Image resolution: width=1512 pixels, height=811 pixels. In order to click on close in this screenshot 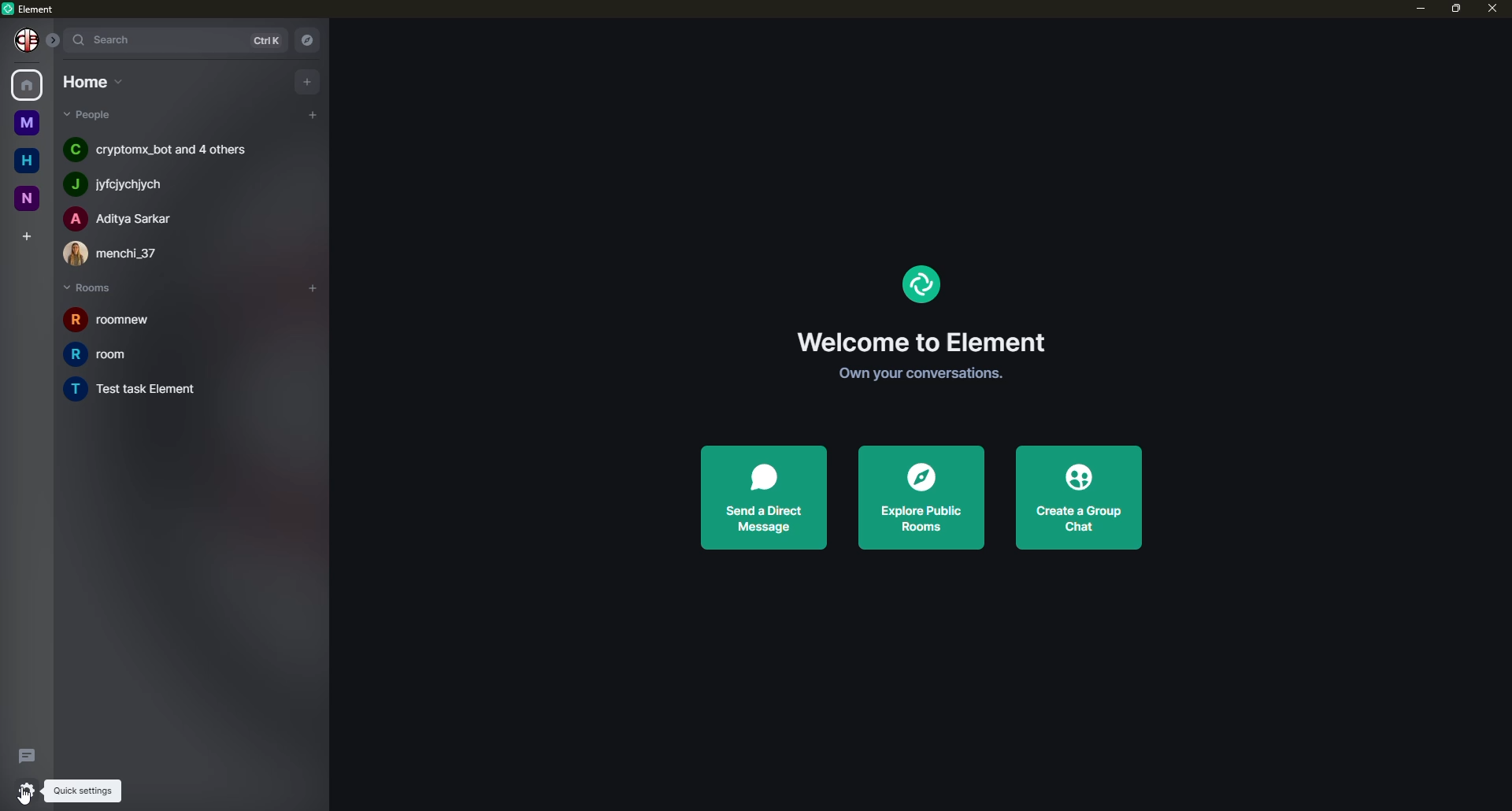, I will do `click(1492, 9)`.